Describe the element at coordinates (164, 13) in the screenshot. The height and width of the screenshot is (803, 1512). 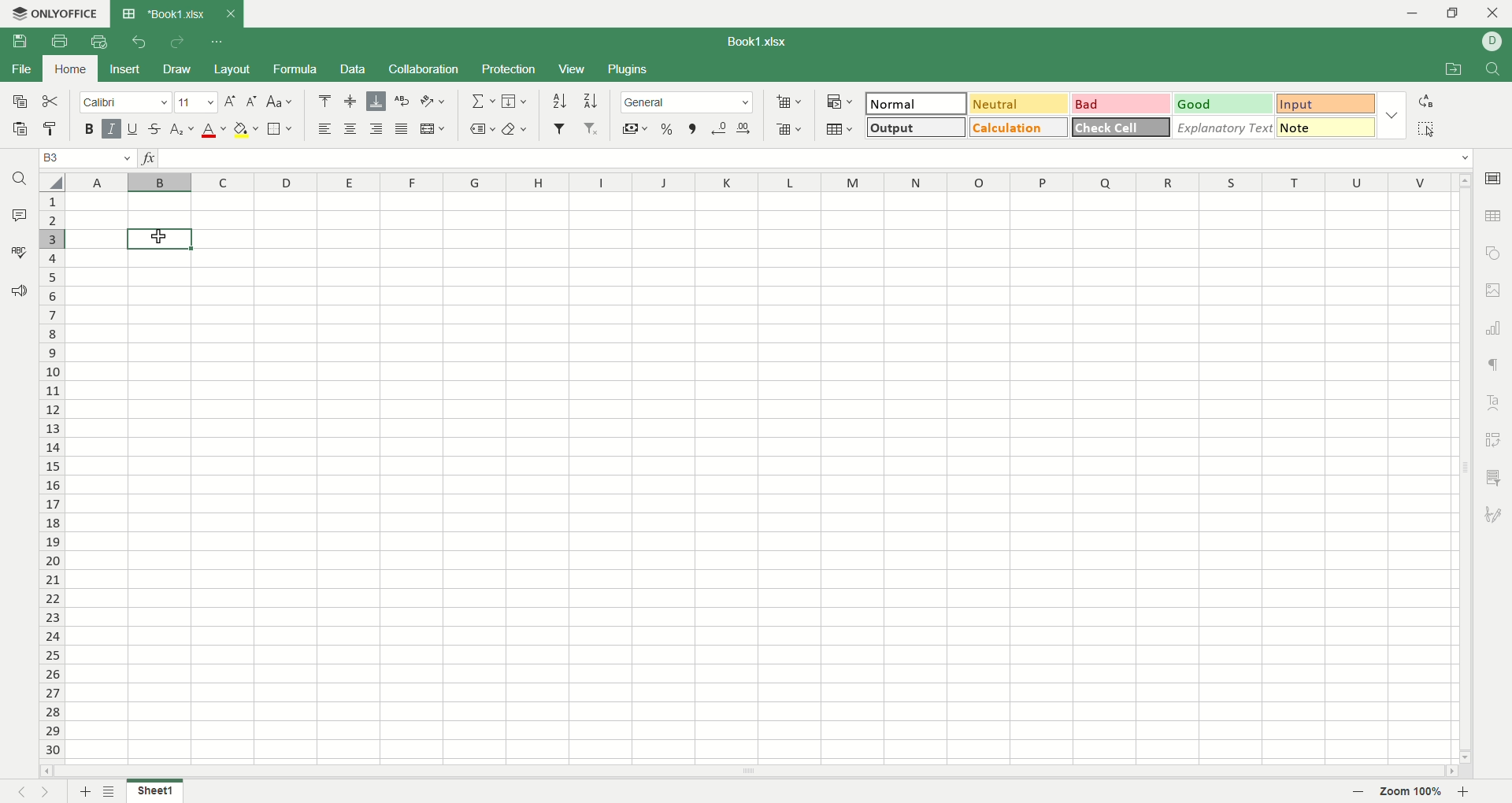
I see `Book1.xlsx` at that location.